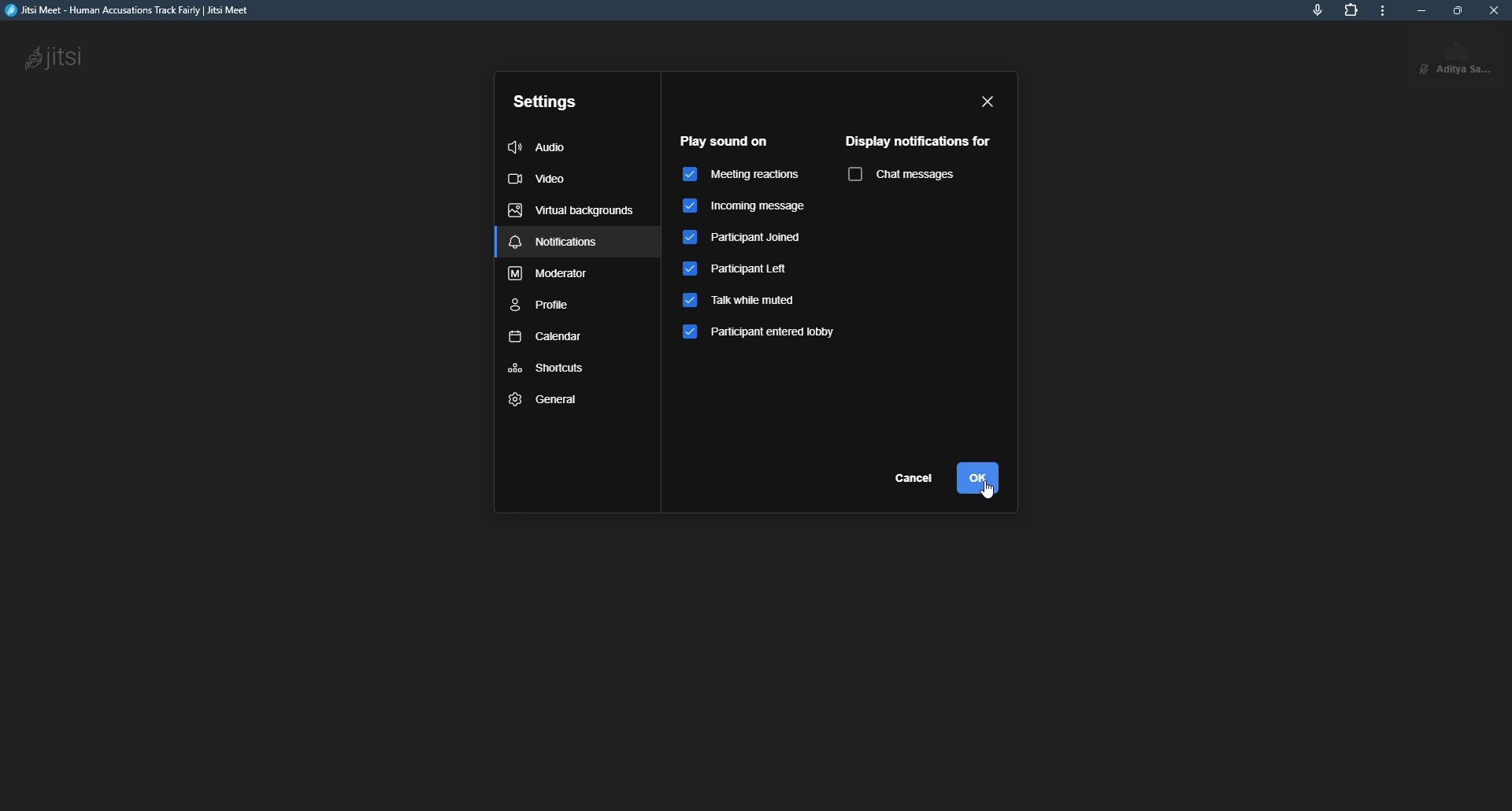 Image resolution: width=1512 pixels, height=811 pixels. Describe the element at coordinates (1317, 11) in the screenshot. I see `mic` at that location.